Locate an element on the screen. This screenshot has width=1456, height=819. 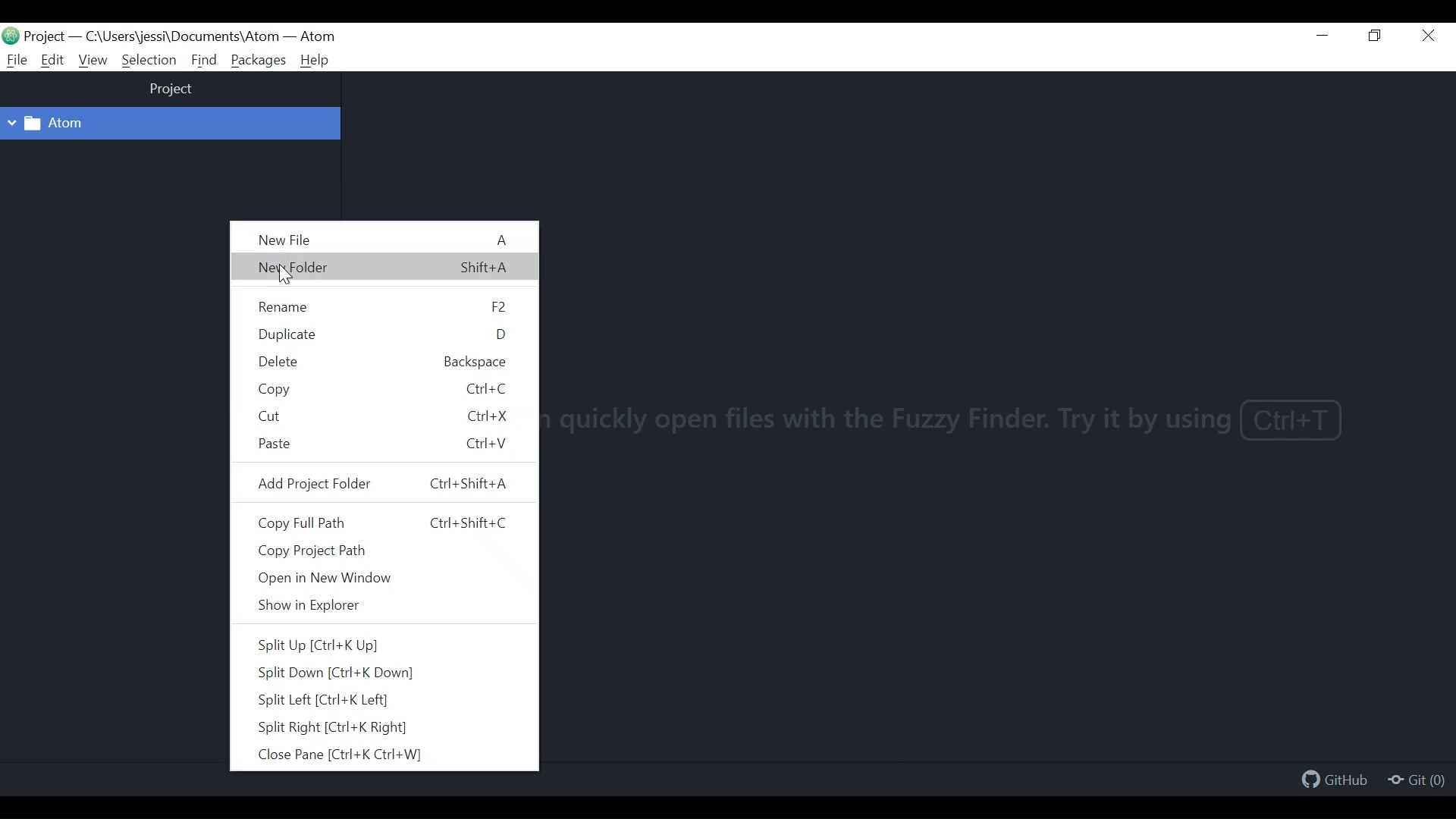
Copy Project Path is located at coordinates (312, 550).